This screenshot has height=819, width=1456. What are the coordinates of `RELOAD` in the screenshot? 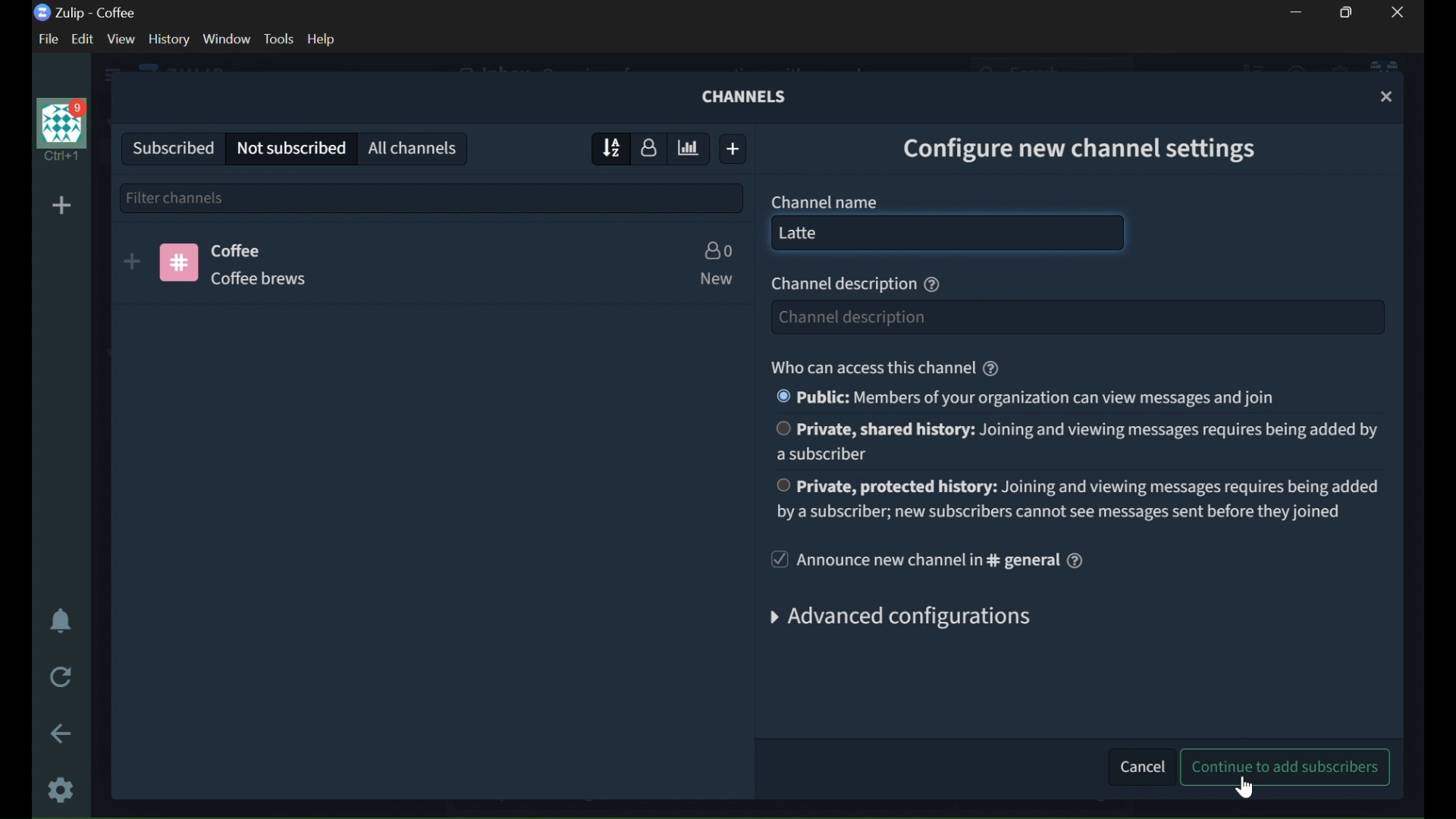 It's located at (63, 675).